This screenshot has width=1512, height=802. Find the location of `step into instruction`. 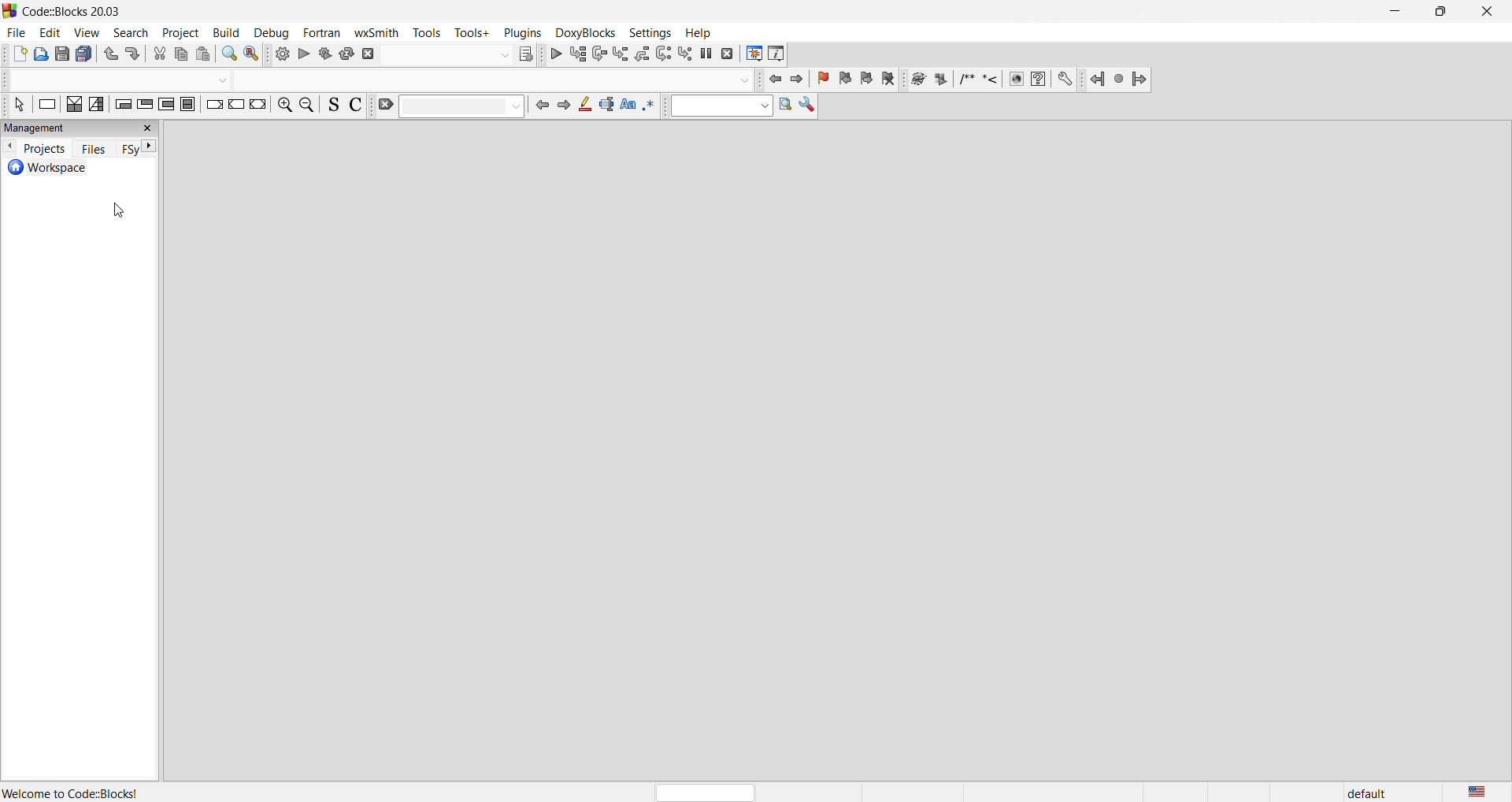

step into instruction is located at coordinates (686, 54).